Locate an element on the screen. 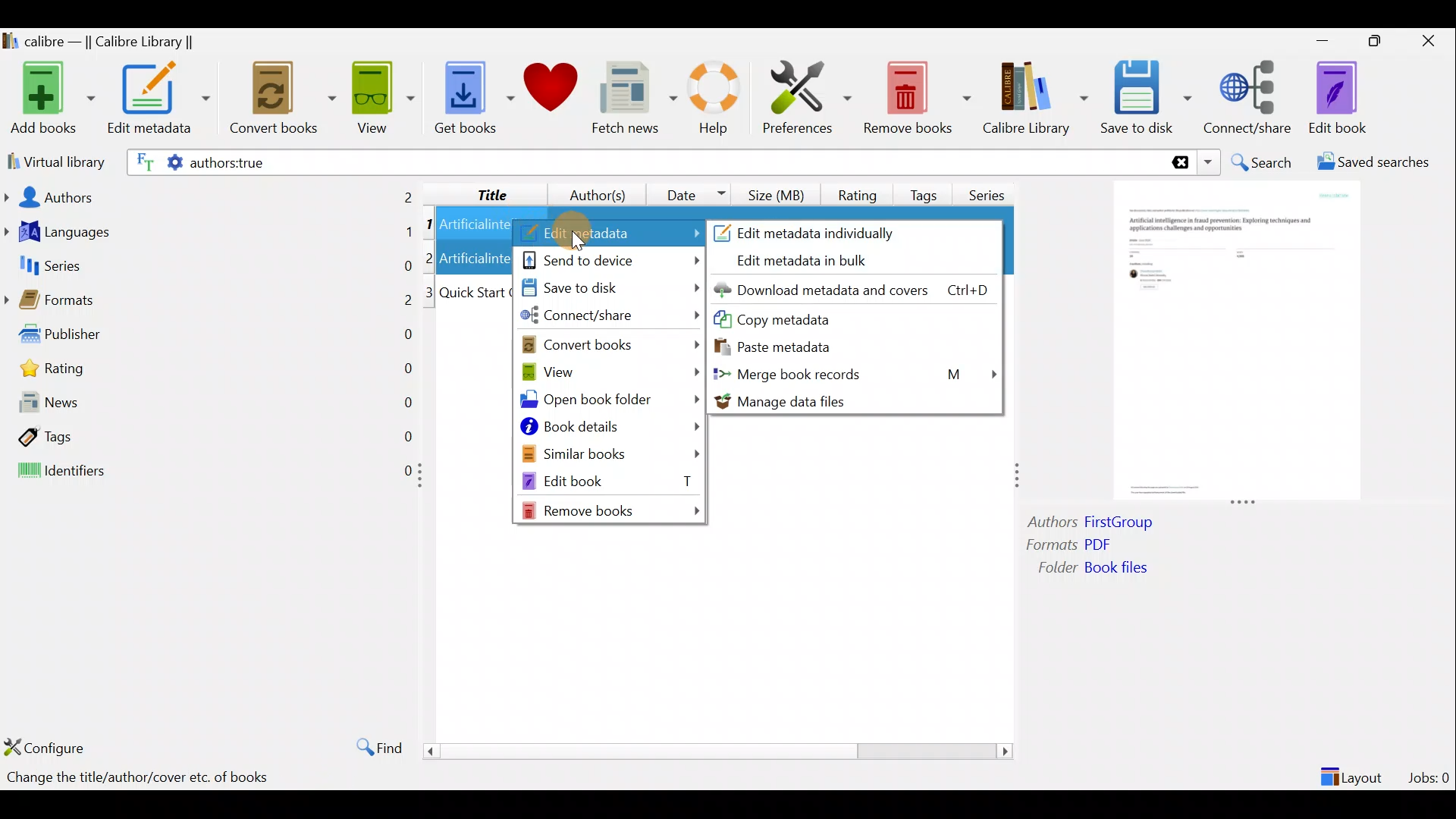  View is located at coordinates (607, 371).